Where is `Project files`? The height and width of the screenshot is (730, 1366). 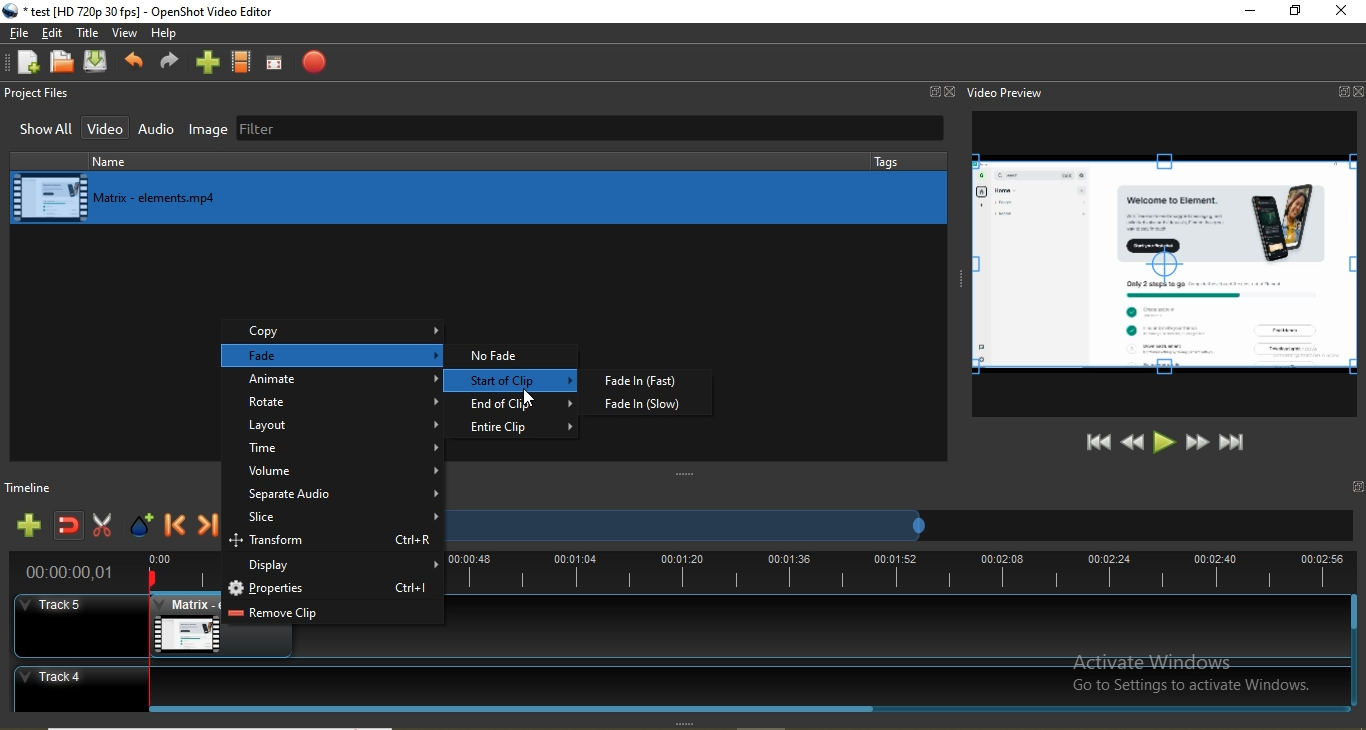 Project files is located at coordinates (42, 94).